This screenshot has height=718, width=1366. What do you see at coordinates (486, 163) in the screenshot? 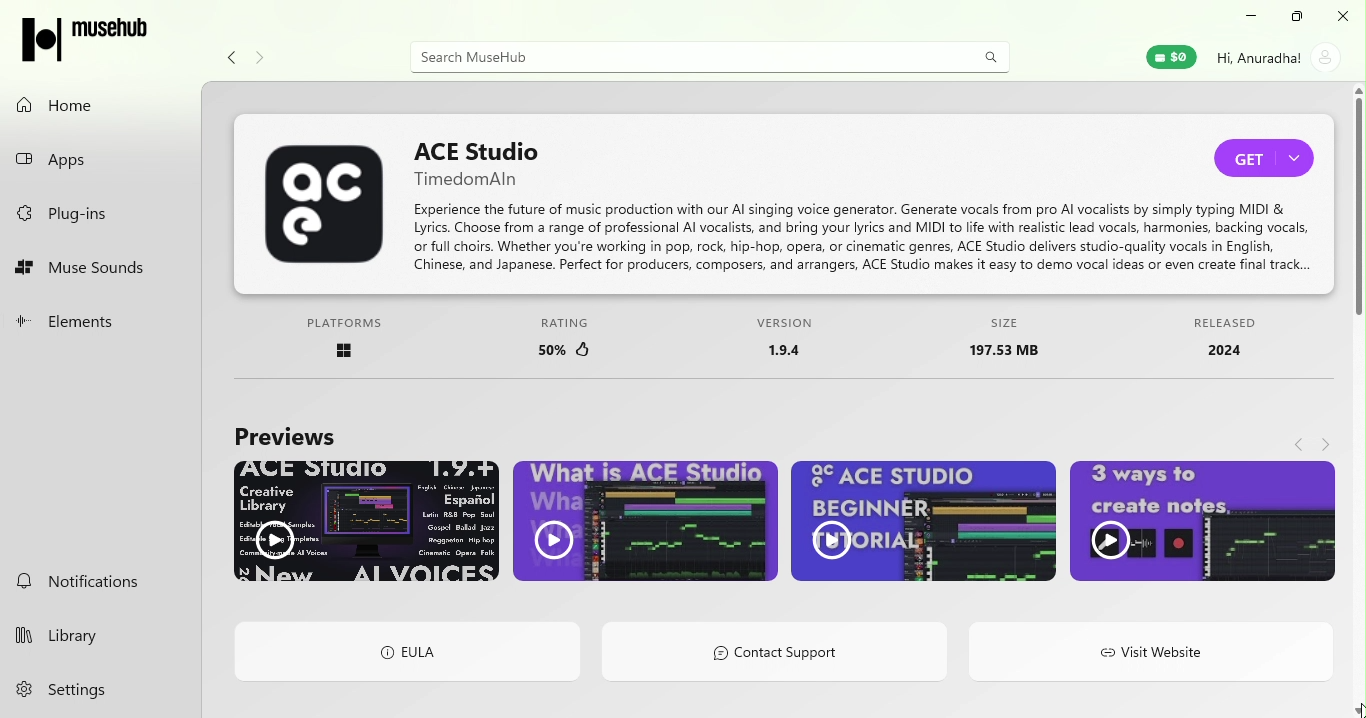
I see `ACE Studio name` at bounding box center [486, 163].